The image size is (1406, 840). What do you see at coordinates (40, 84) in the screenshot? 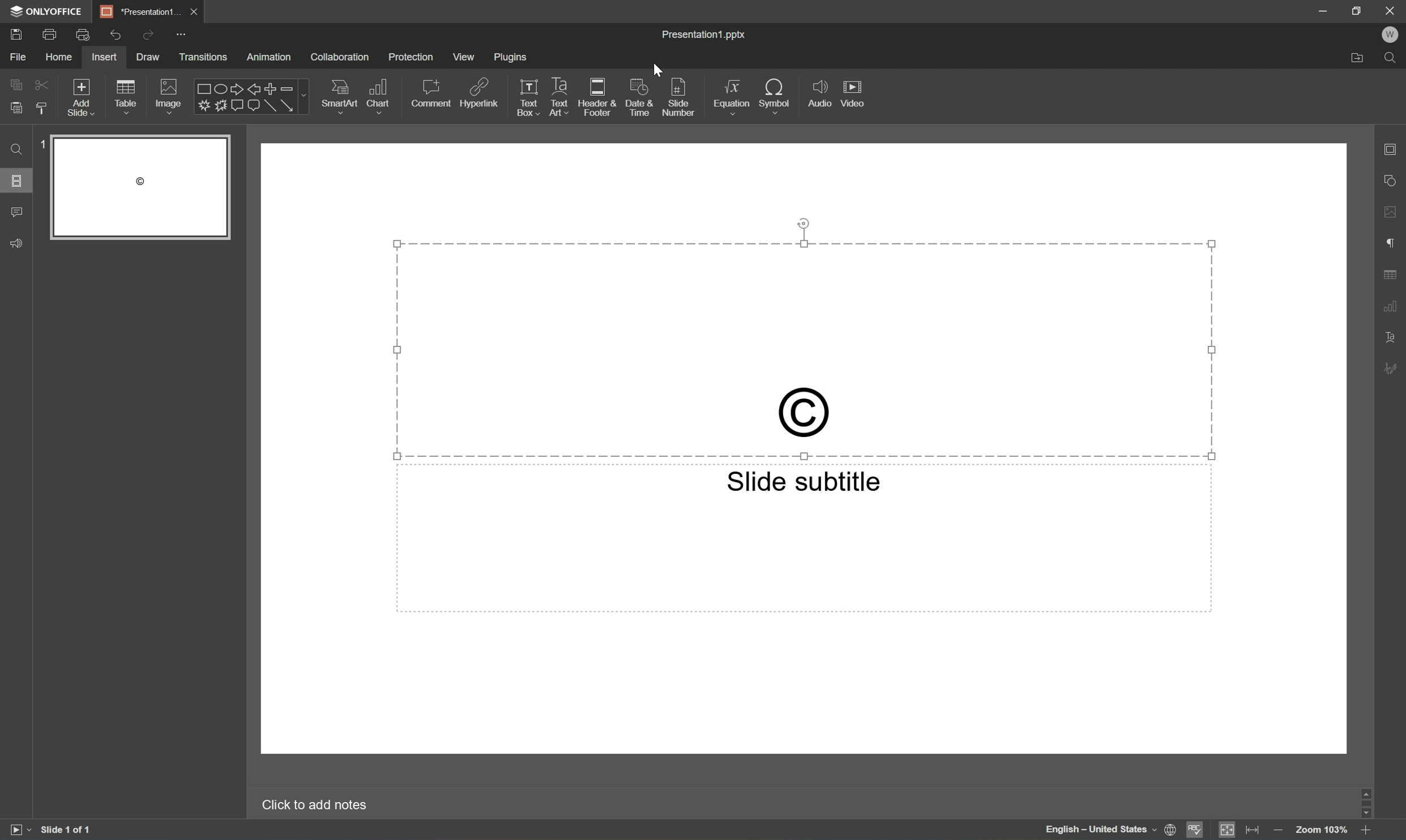
I see `Cut` at bounding box center [40, 84].